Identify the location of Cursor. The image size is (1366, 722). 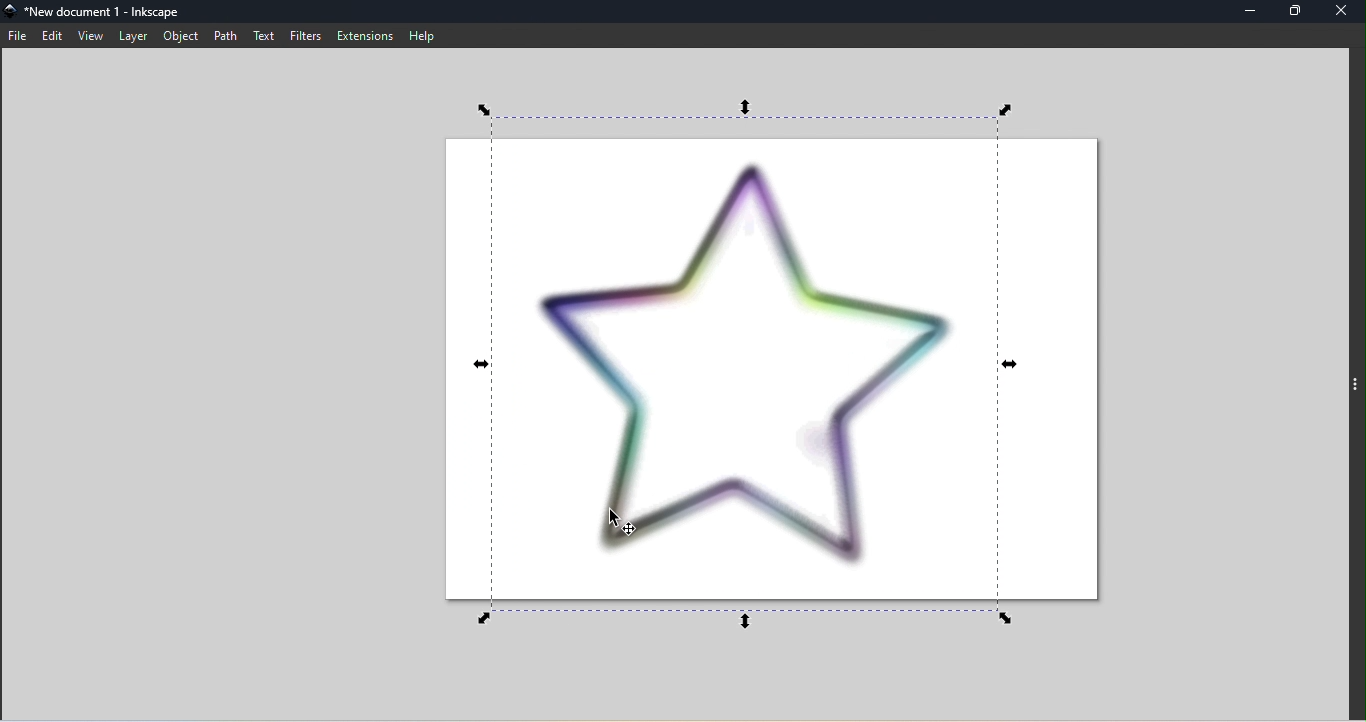
(625, 524).